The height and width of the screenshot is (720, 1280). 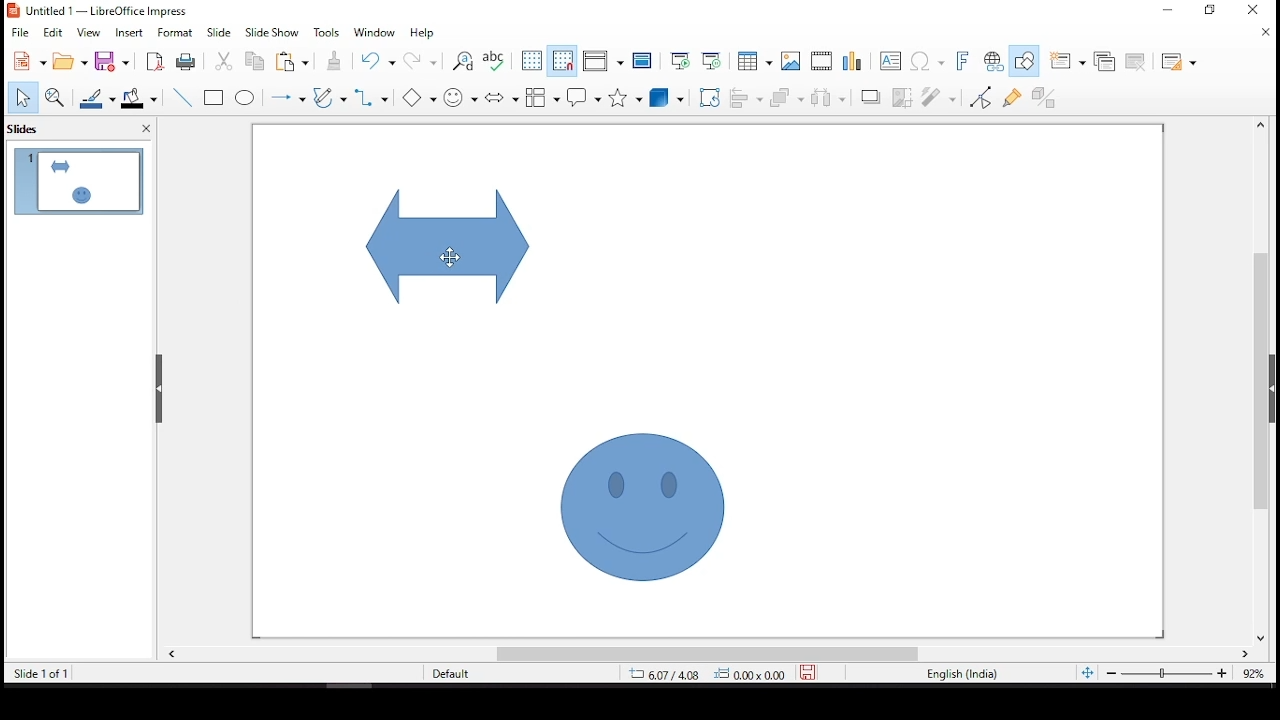 What do you see at coordinates (500, 94) in the screenshot?
I see `block arrows` at bounding box center [500, 94].